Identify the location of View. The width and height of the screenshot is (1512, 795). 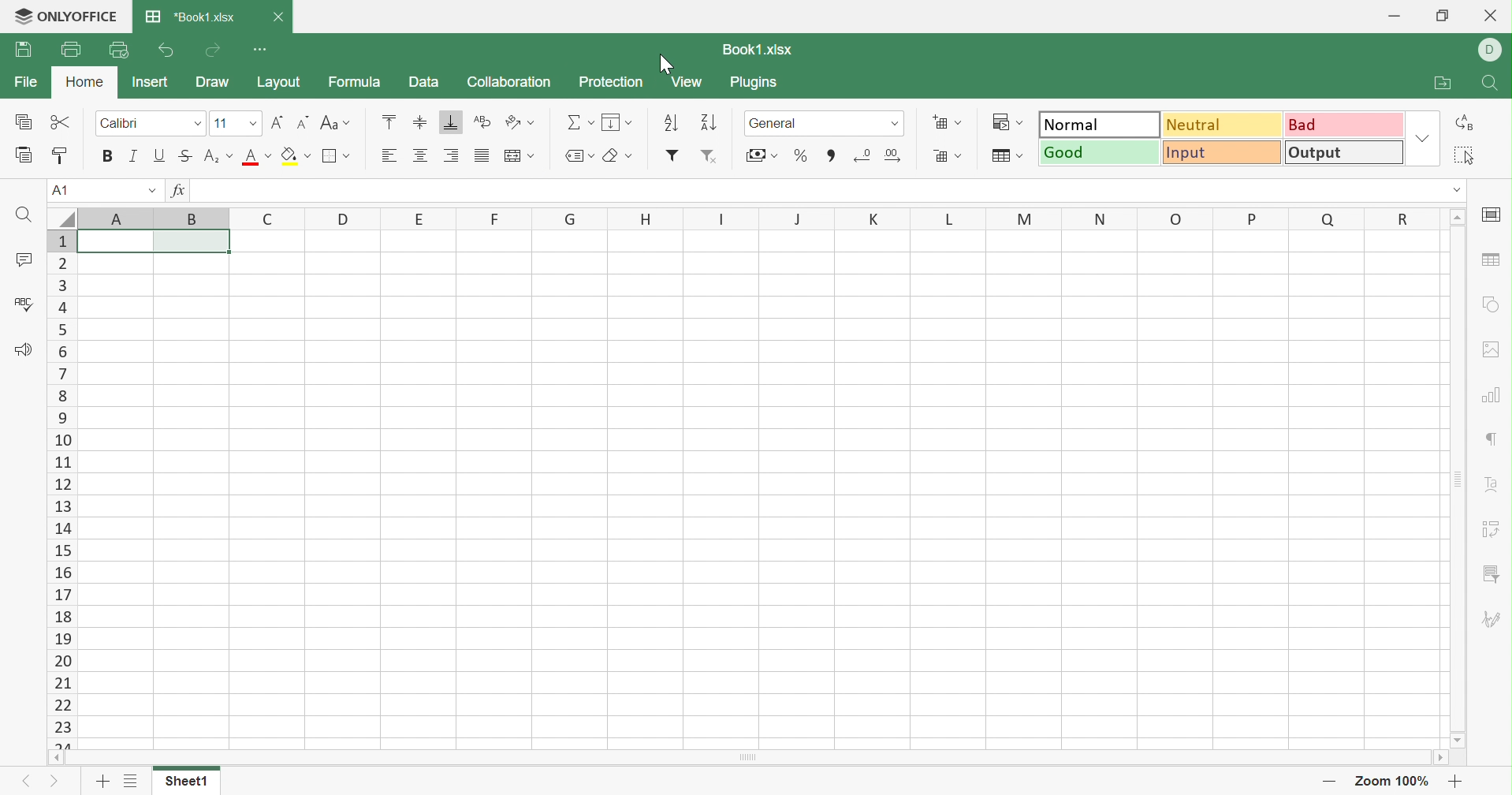
(687, 82).